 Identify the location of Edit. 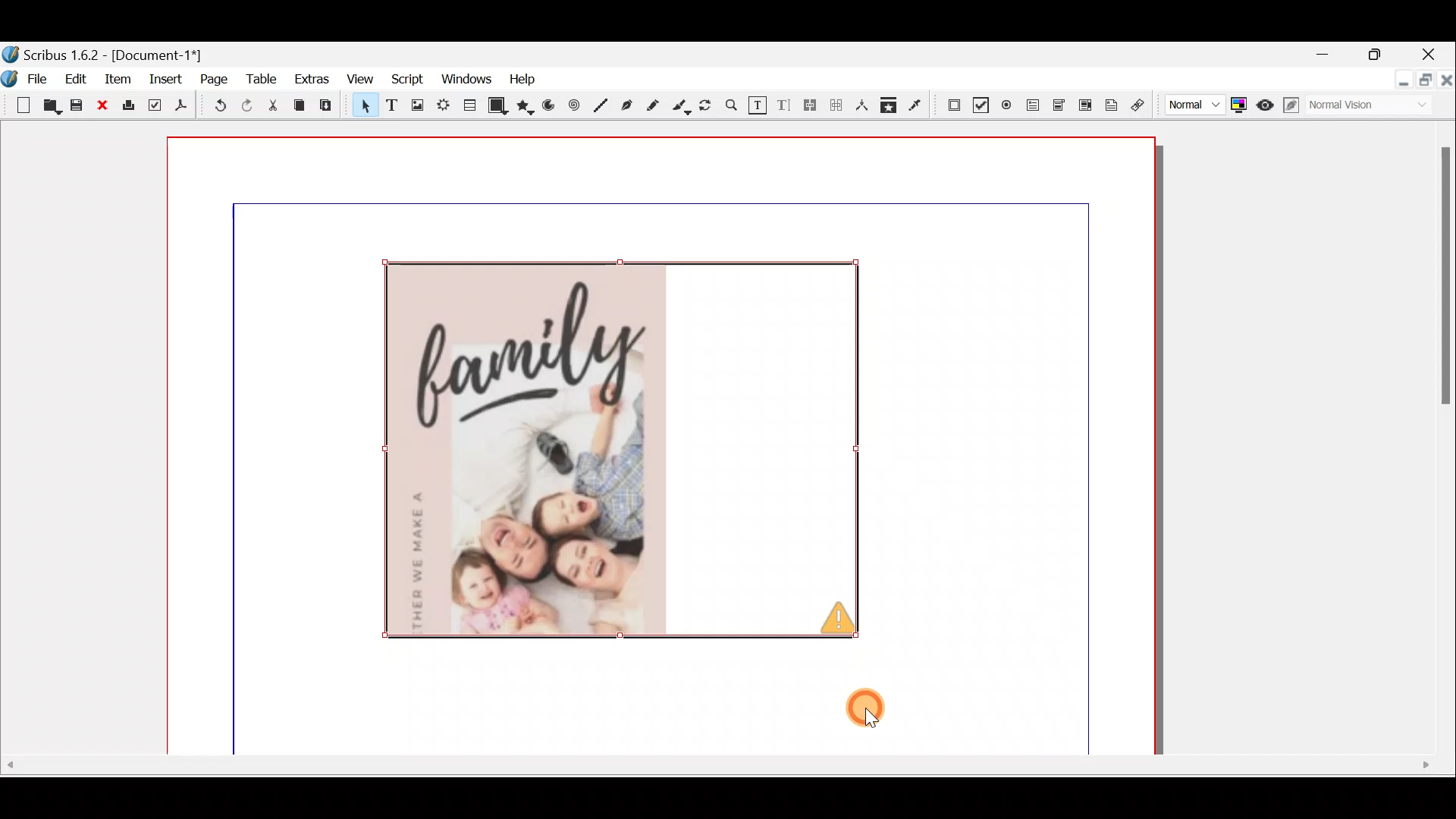
(78, 78).